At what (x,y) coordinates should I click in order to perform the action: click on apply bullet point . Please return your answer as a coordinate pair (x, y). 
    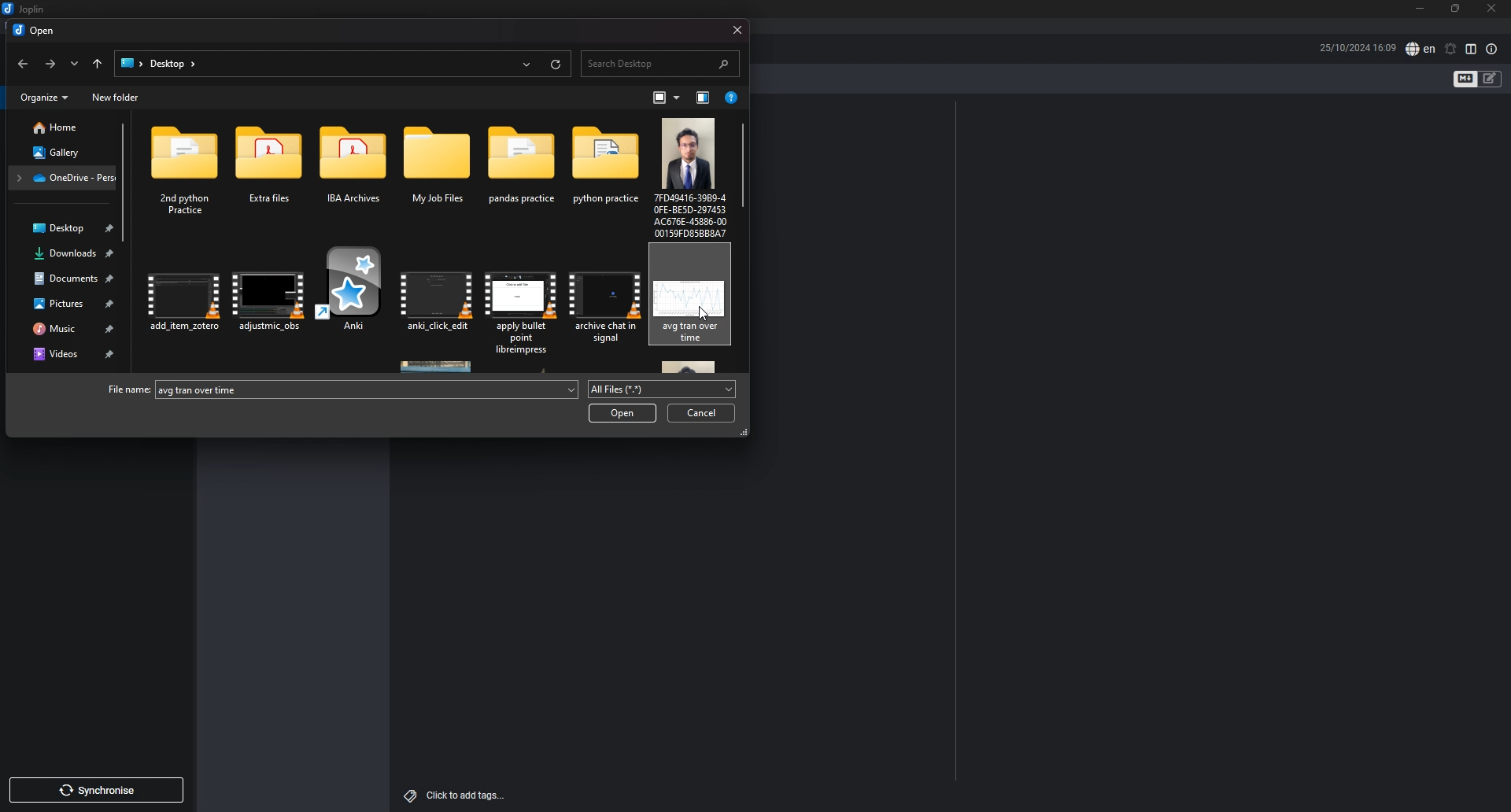
    Looking at the image, I should click on (521, 305).